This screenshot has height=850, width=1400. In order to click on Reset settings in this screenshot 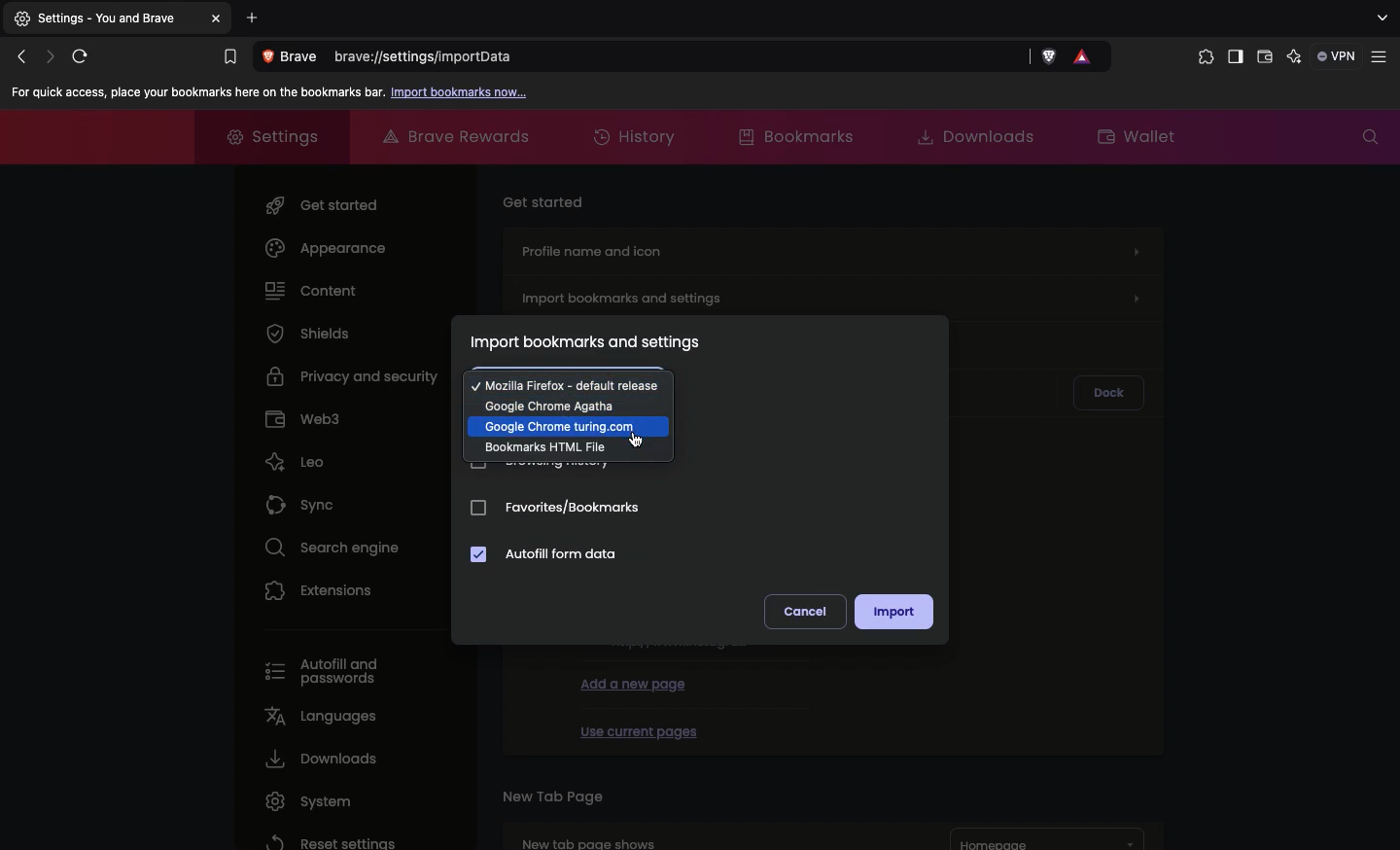, I will do `click(328, 840)`.